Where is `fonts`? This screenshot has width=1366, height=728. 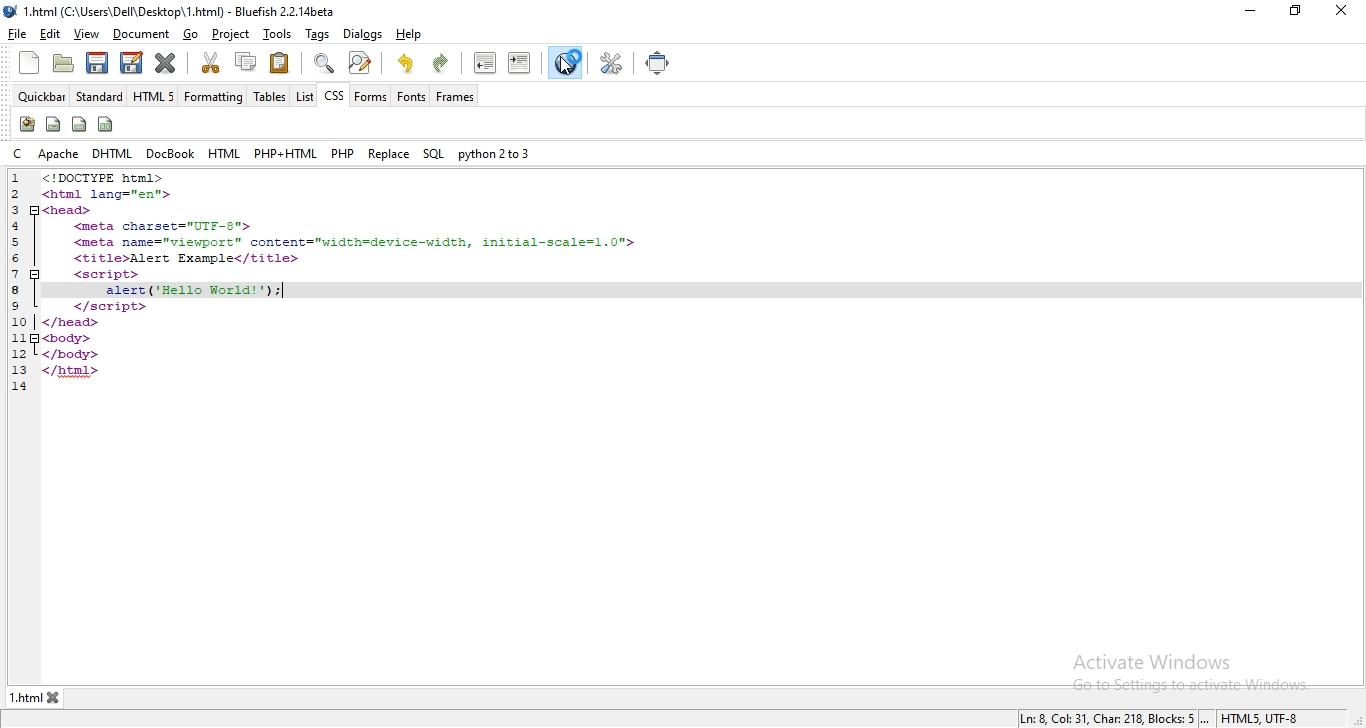
fonts is located at coordinates (409, 97).